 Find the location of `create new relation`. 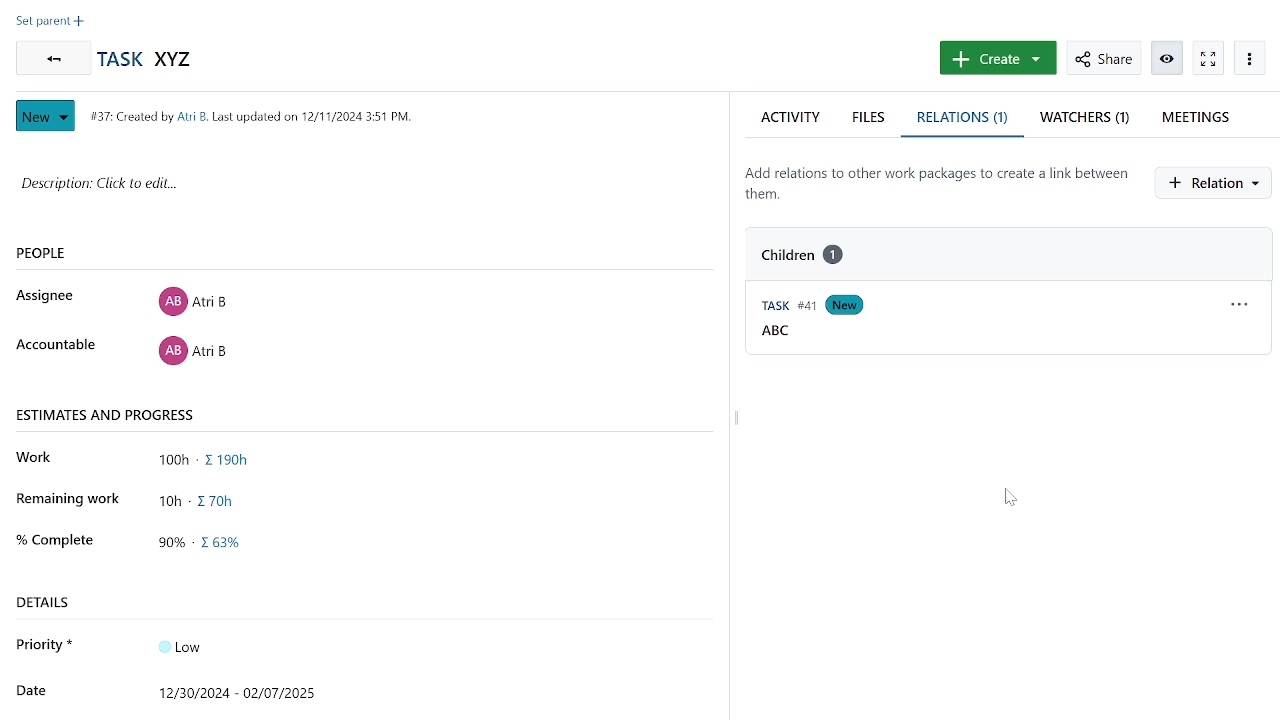

create new relation is located at coordinates (1217, 183).